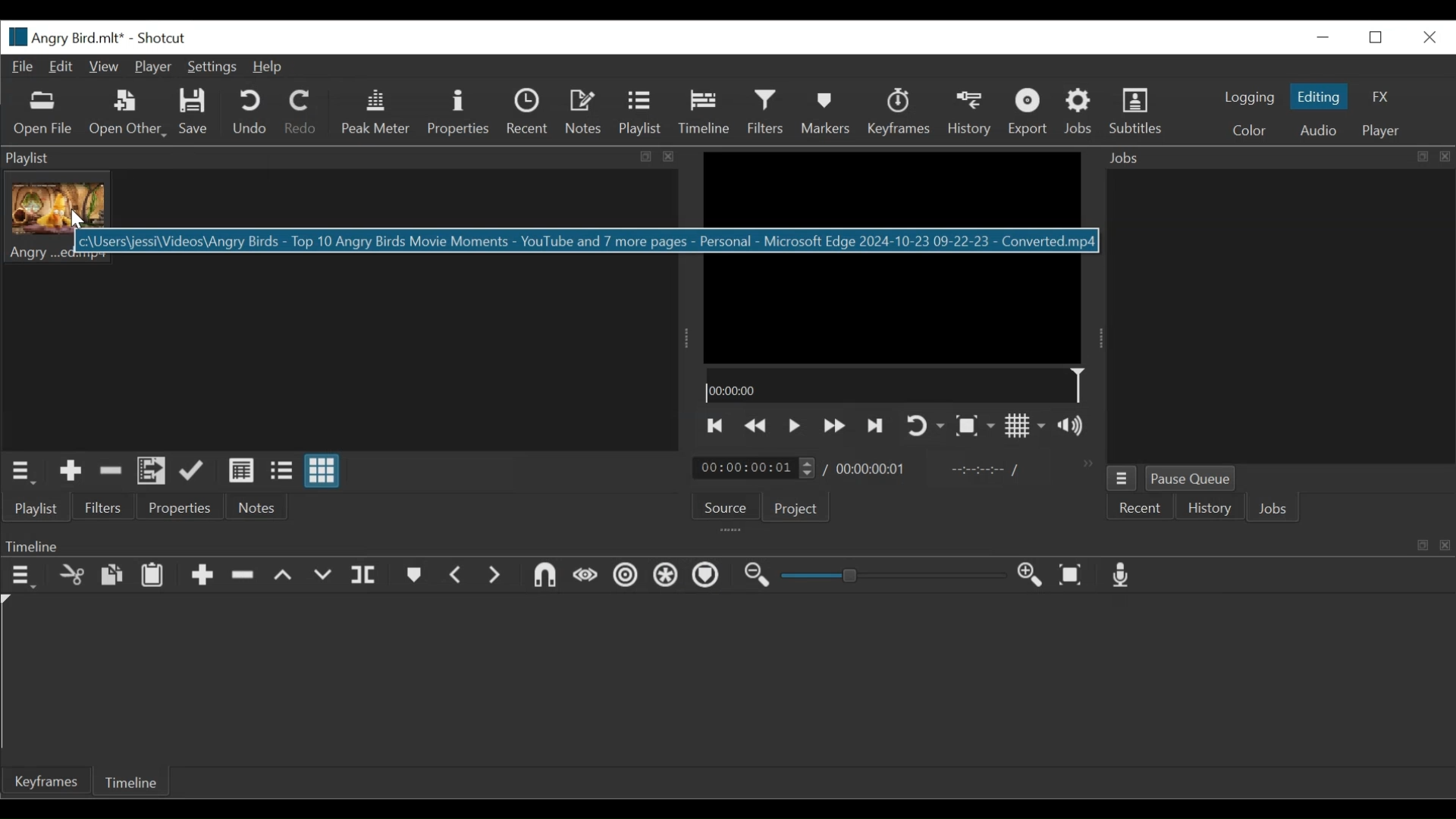 Image resolution: width=1456 pixels, height=819 pixels. Describe the element at coordinates (126, 114) in the screenshot. I see `Open Other` at that location.